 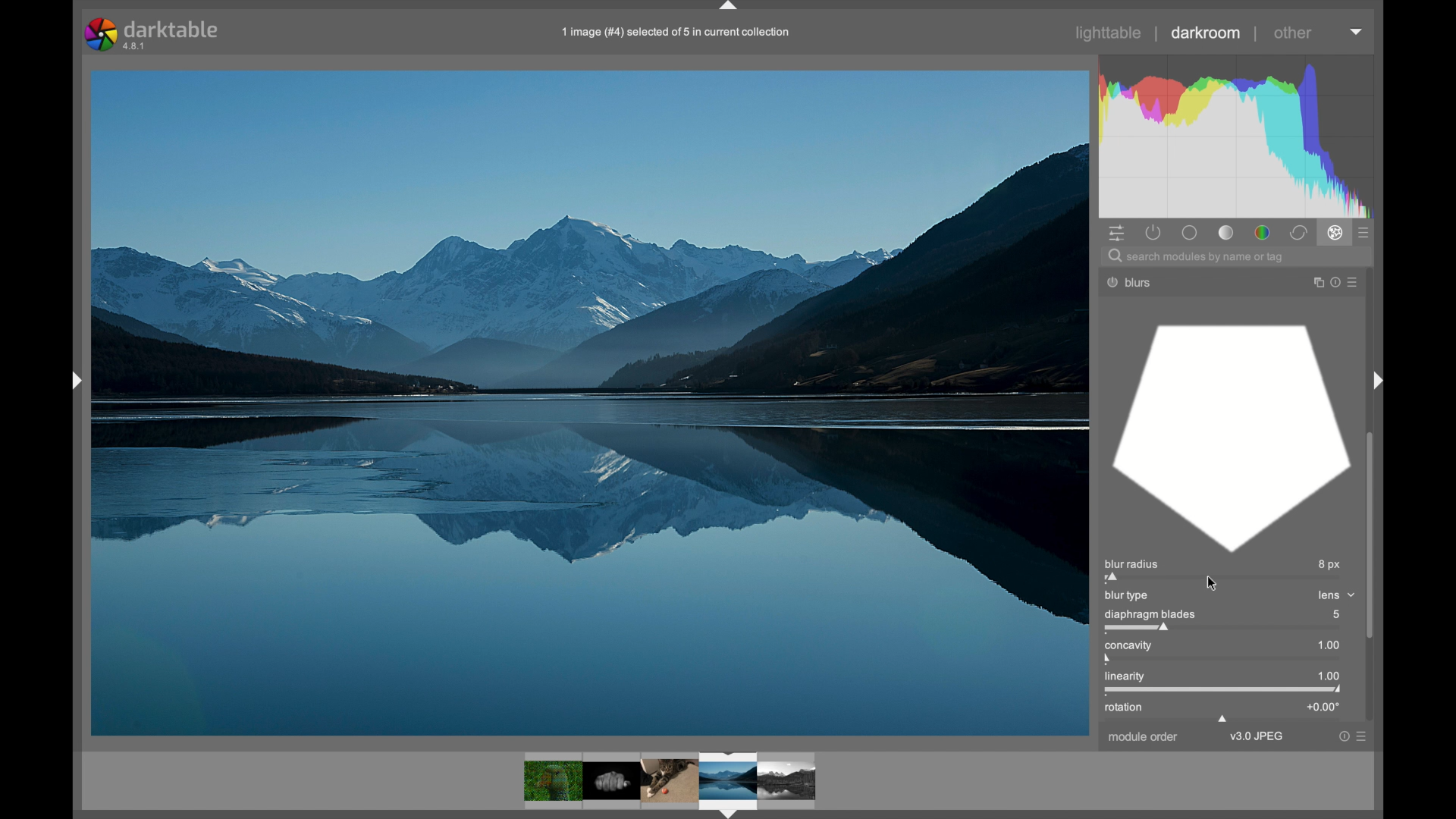 What do you see at coordinates (1365, 232) in the screenshot?
I see `presets` at bounding box center [1365, 232].